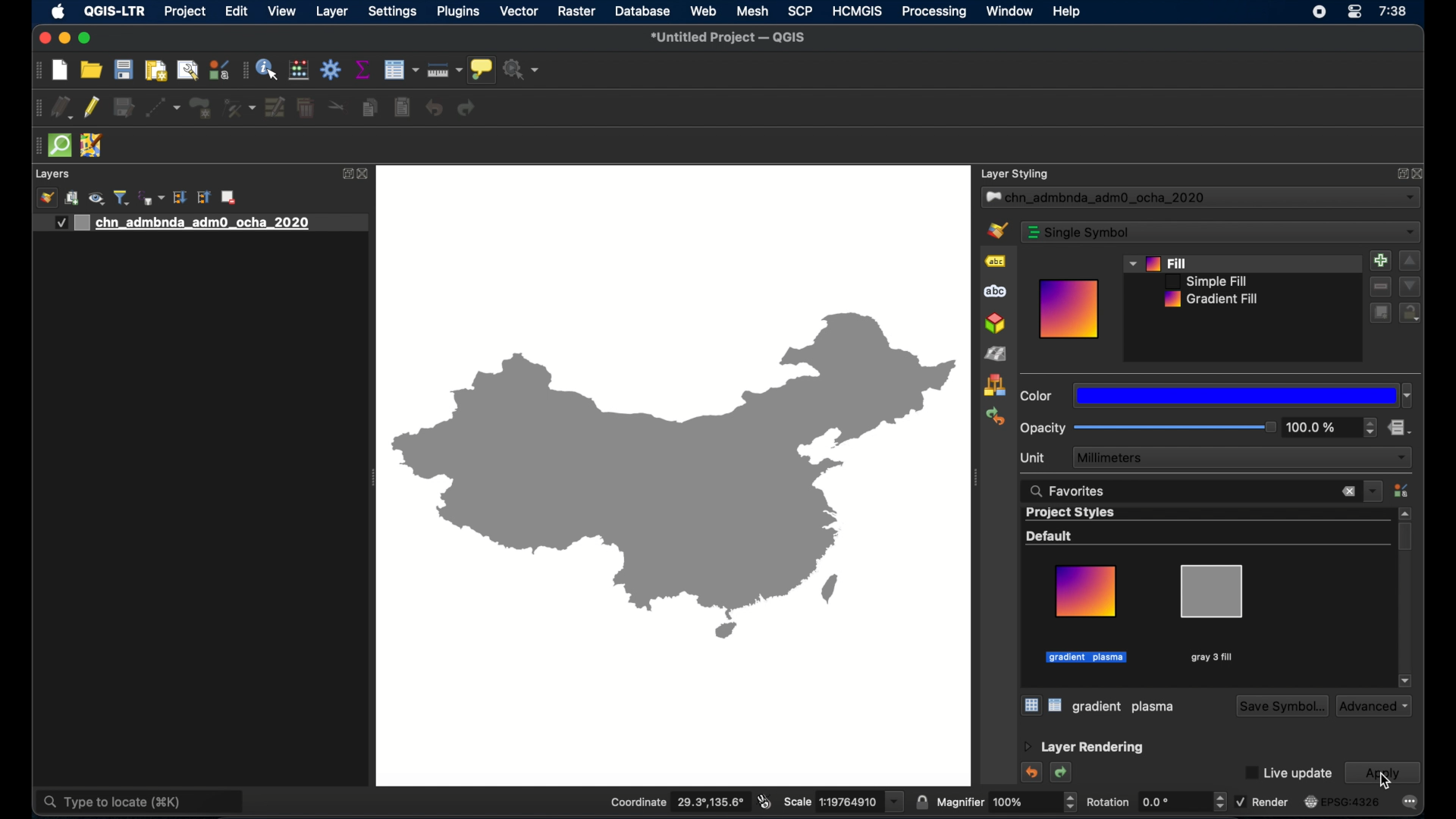 The height and width of the screenshot is (819, 1456). Describe the element at coordinates (62, 108) in the screenshot. I see `current layer edits` at that location.